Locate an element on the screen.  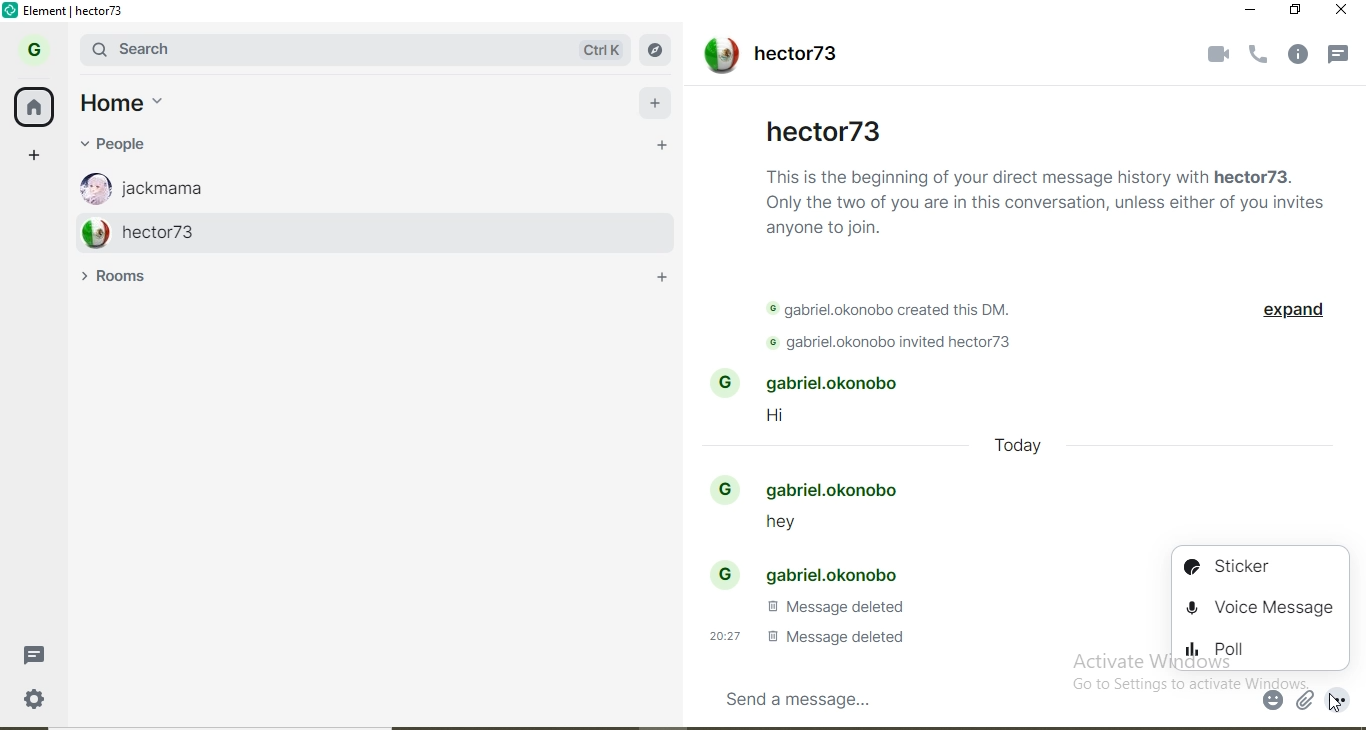
settings is located at coordinates (46, 704).